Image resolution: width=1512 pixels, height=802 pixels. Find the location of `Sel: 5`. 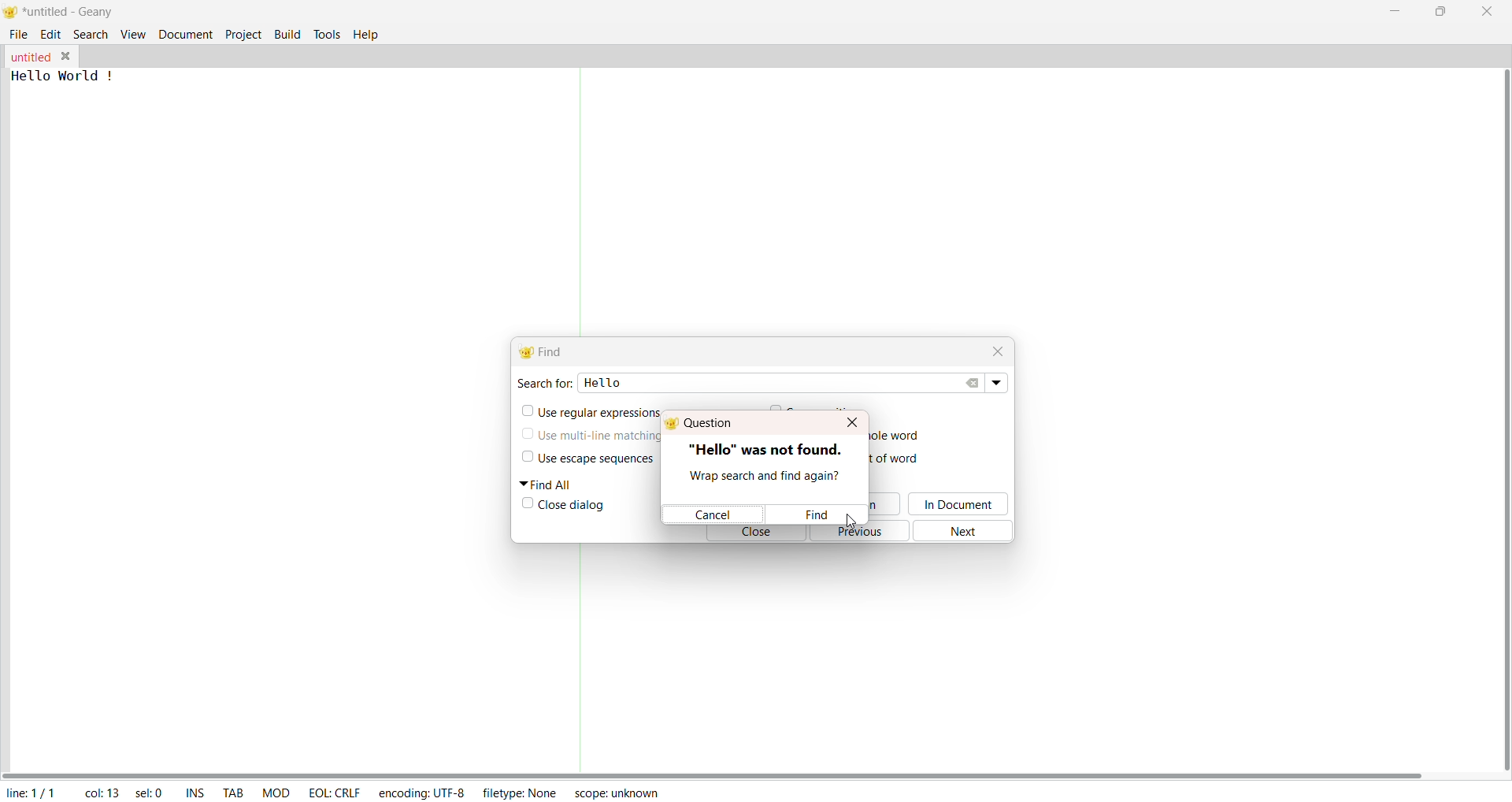

Sel: 5 is located at coordinates (148, 792).